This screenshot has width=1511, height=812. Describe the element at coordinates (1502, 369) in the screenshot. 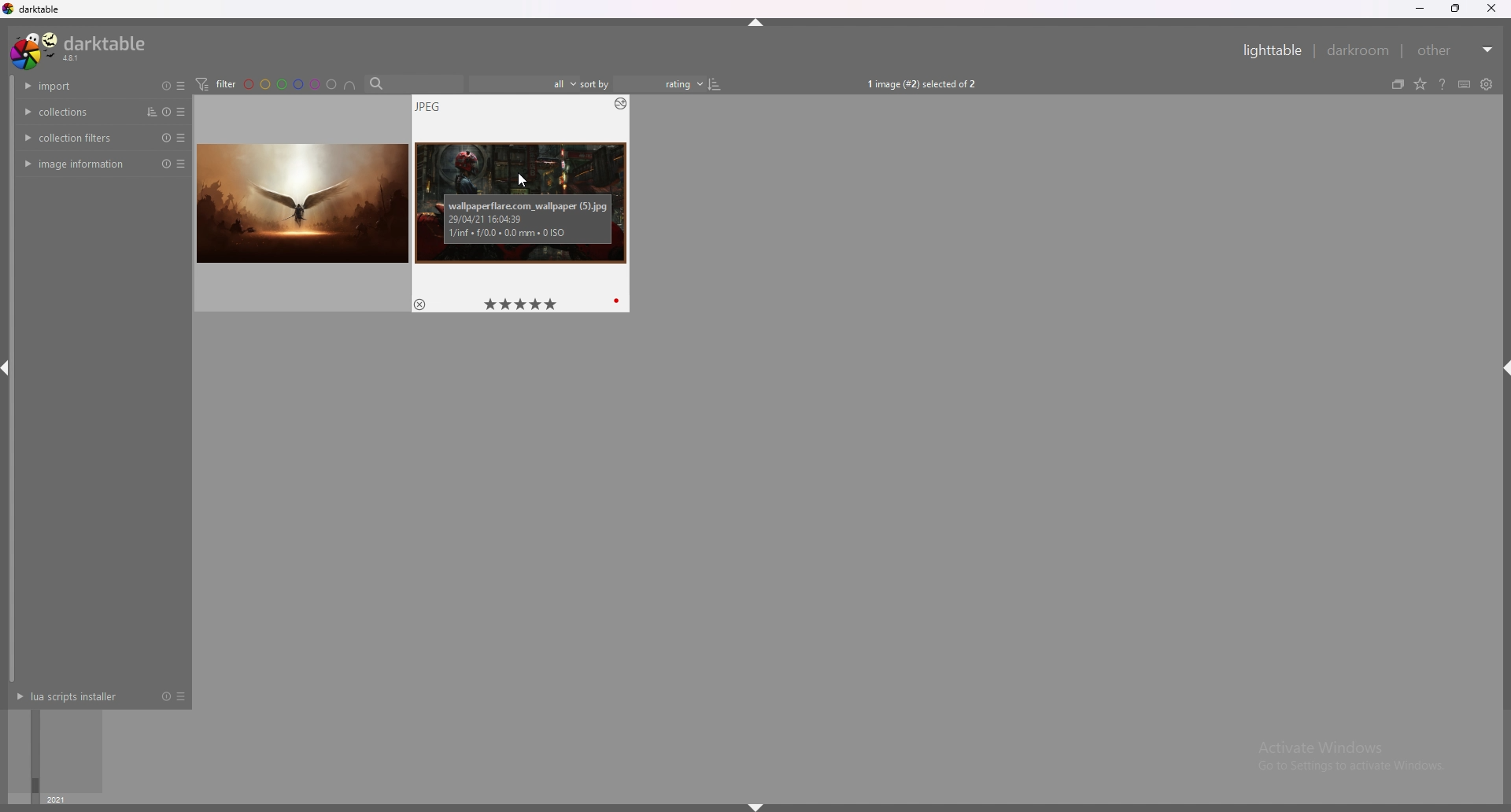

I see `hide` at that location.